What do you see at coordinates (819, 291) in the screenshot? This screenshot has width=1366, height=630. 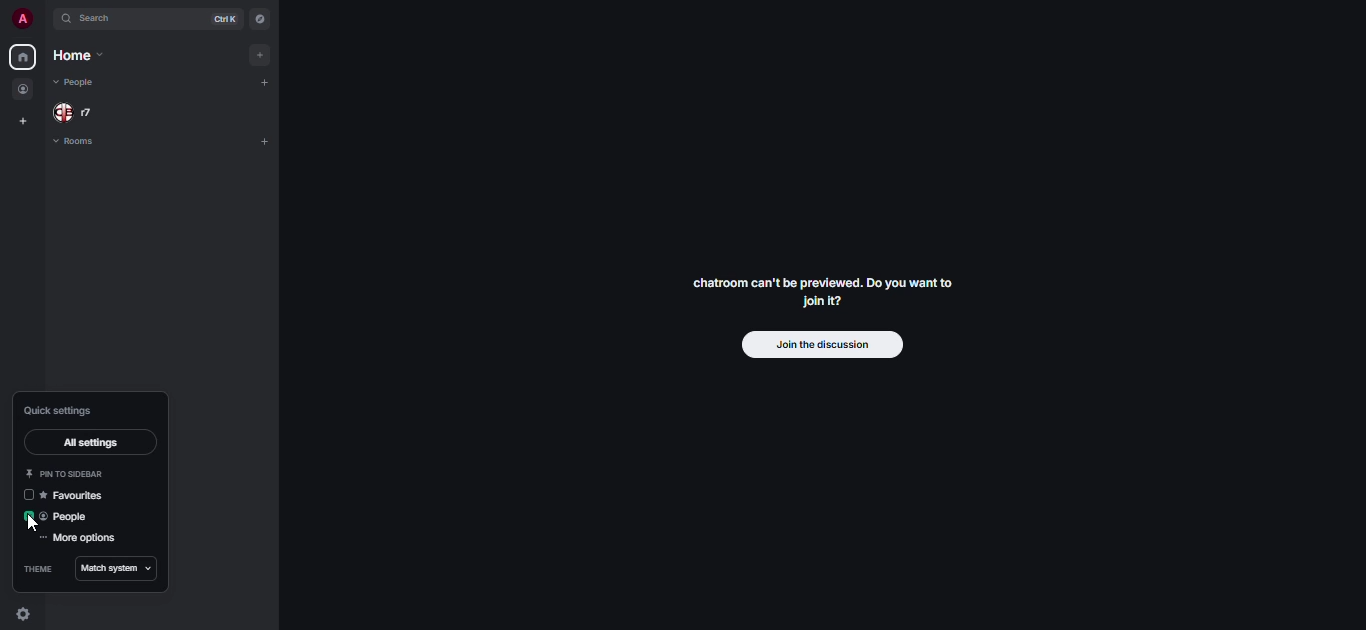 I see `chatroom can't be previewed. Join it?` at bounding box center [819, 291].